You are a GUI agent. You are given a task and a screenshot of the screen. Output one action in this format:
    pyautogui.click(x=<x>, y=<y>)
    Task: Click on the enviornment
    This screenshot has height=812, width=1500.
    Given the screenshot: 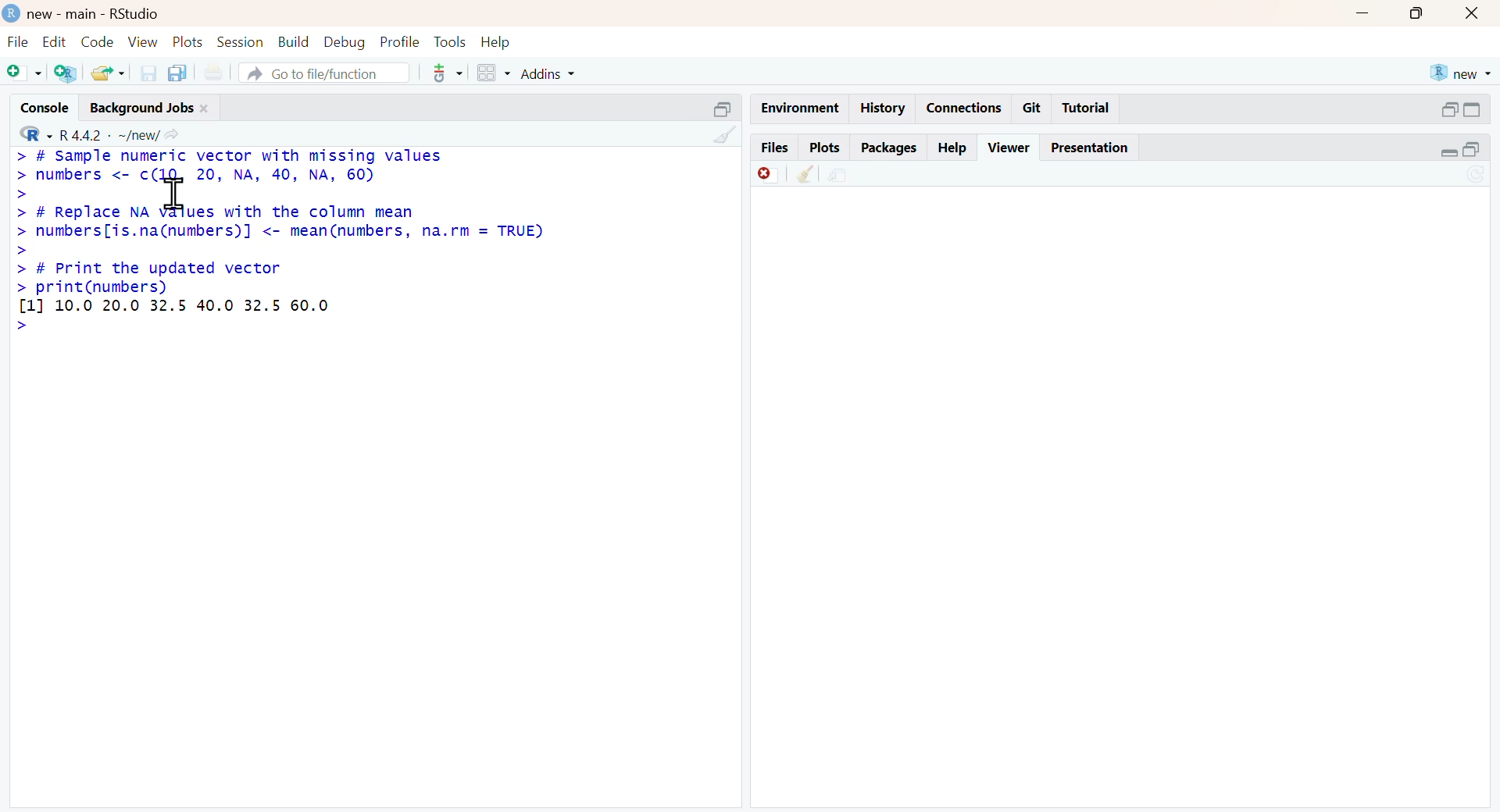 What is the action you would take?
    pyautogui.click(x=802, y=109)
    